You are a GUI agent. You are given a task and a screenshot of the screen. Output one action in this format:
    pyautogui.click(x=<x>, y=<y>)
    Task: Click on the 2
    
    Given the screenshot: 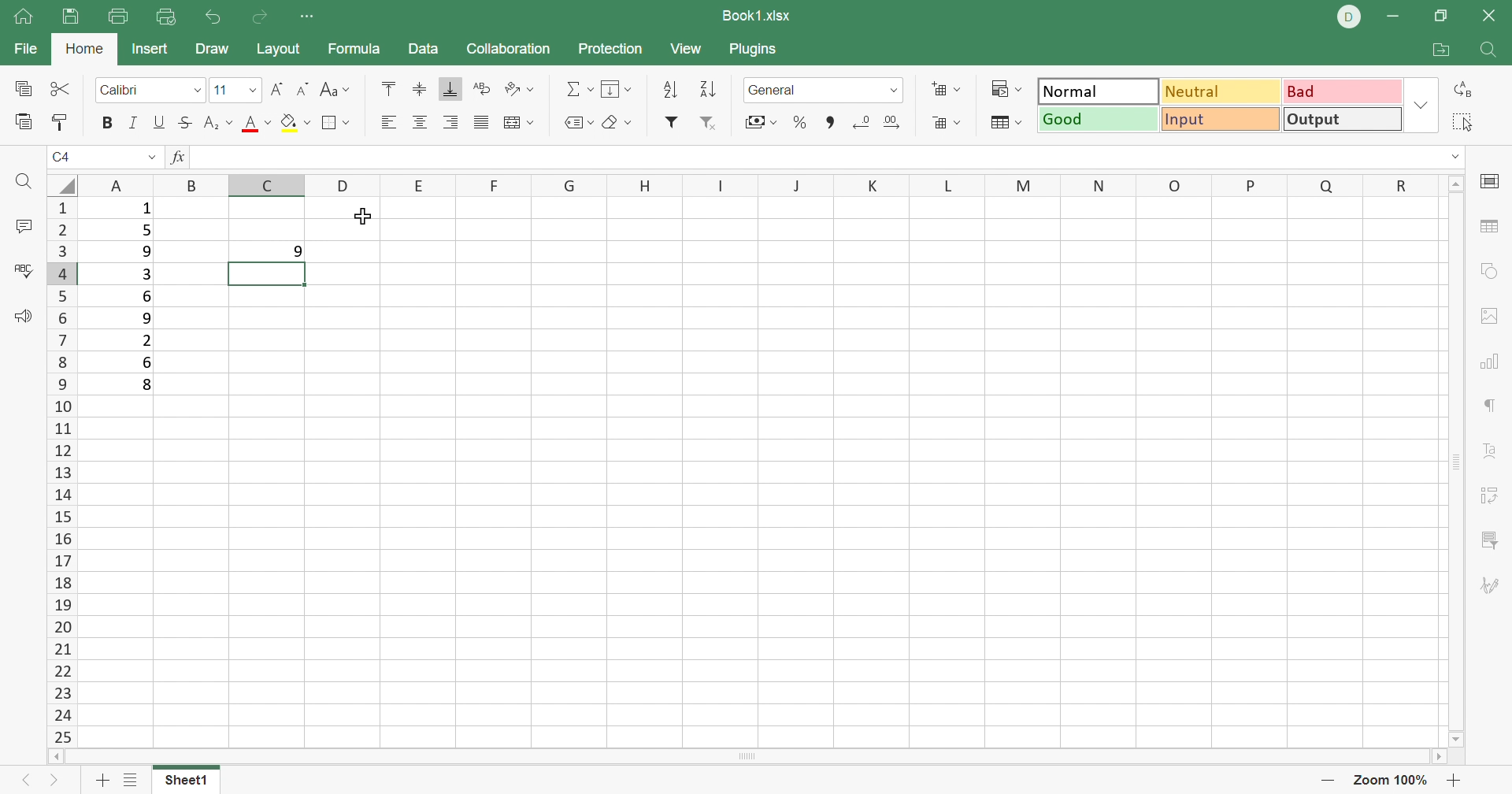 What is the action you would take?
    pyautogui.click(x=146, y=340)
    